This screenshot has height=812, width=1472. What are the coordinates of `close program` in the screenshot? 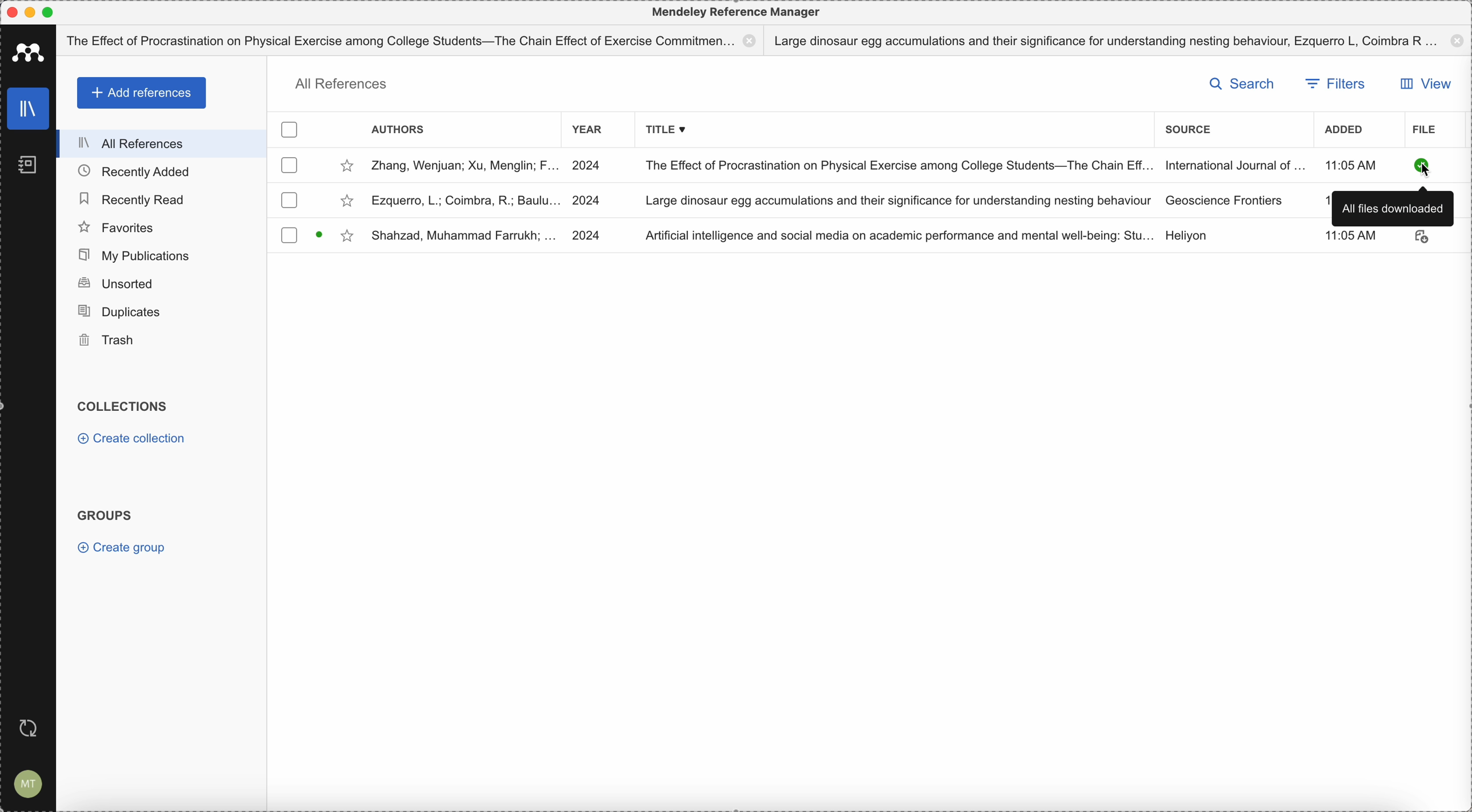 It's located at (11, 13).